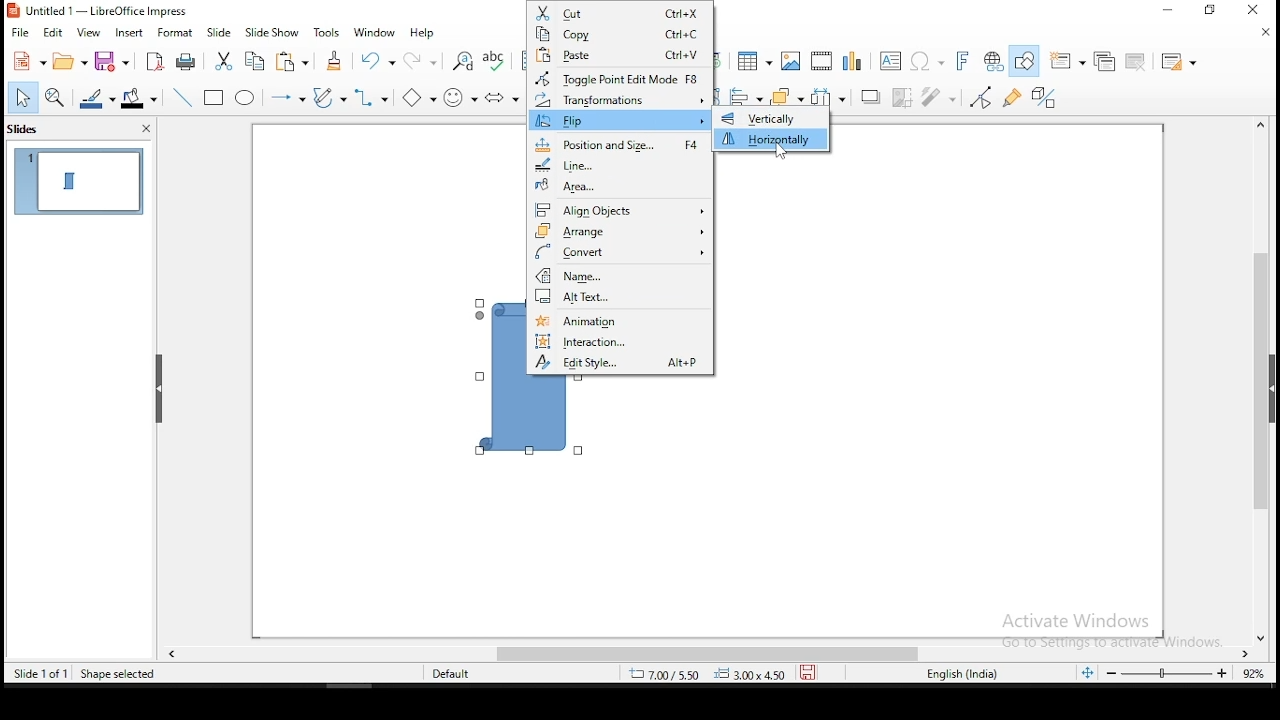 This screenshot has width=1280, height=720. I want to click on line color, so click(98, 97).